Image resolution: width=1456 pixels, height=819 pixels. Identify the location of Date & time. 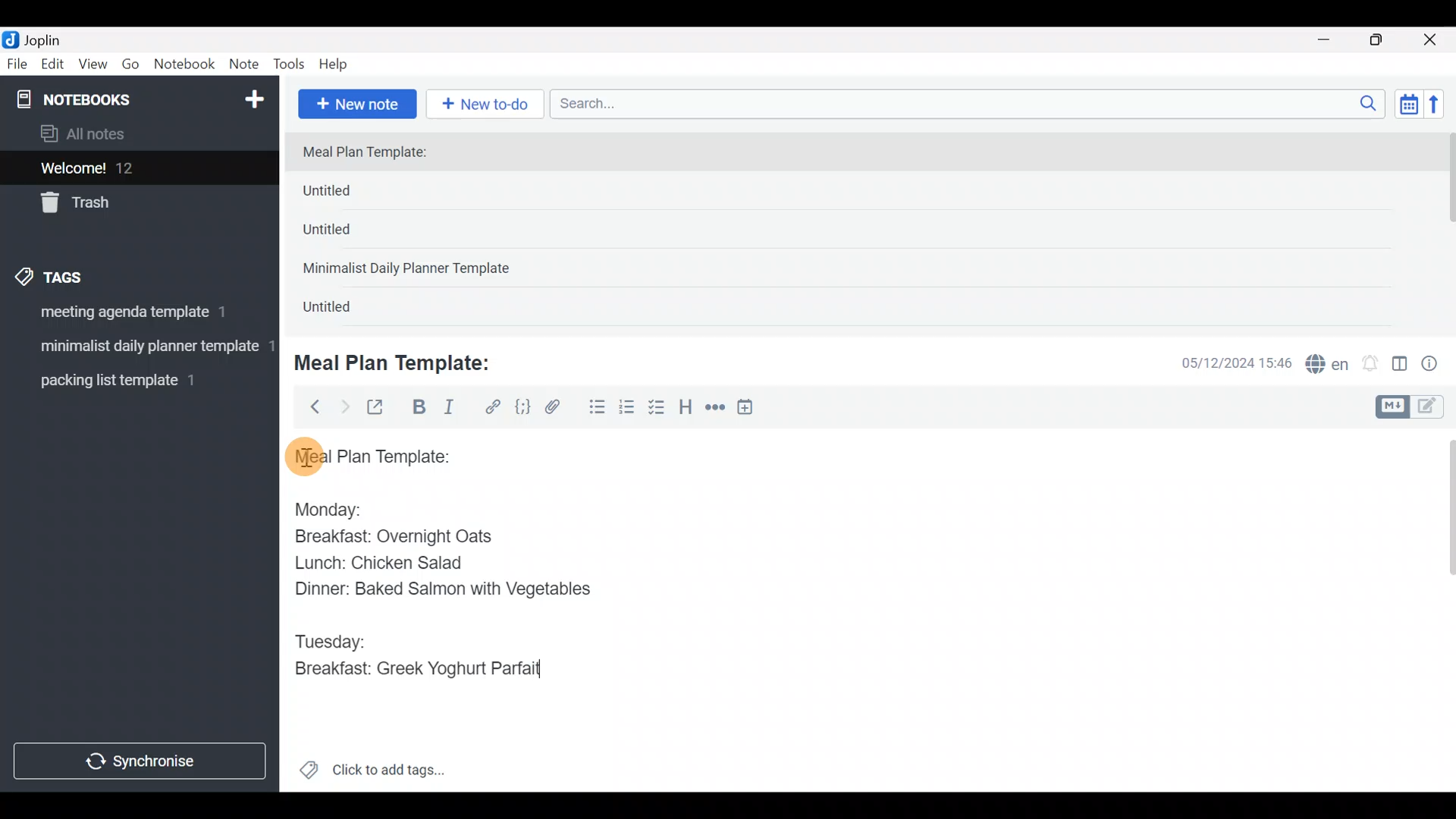
(1225, 362).